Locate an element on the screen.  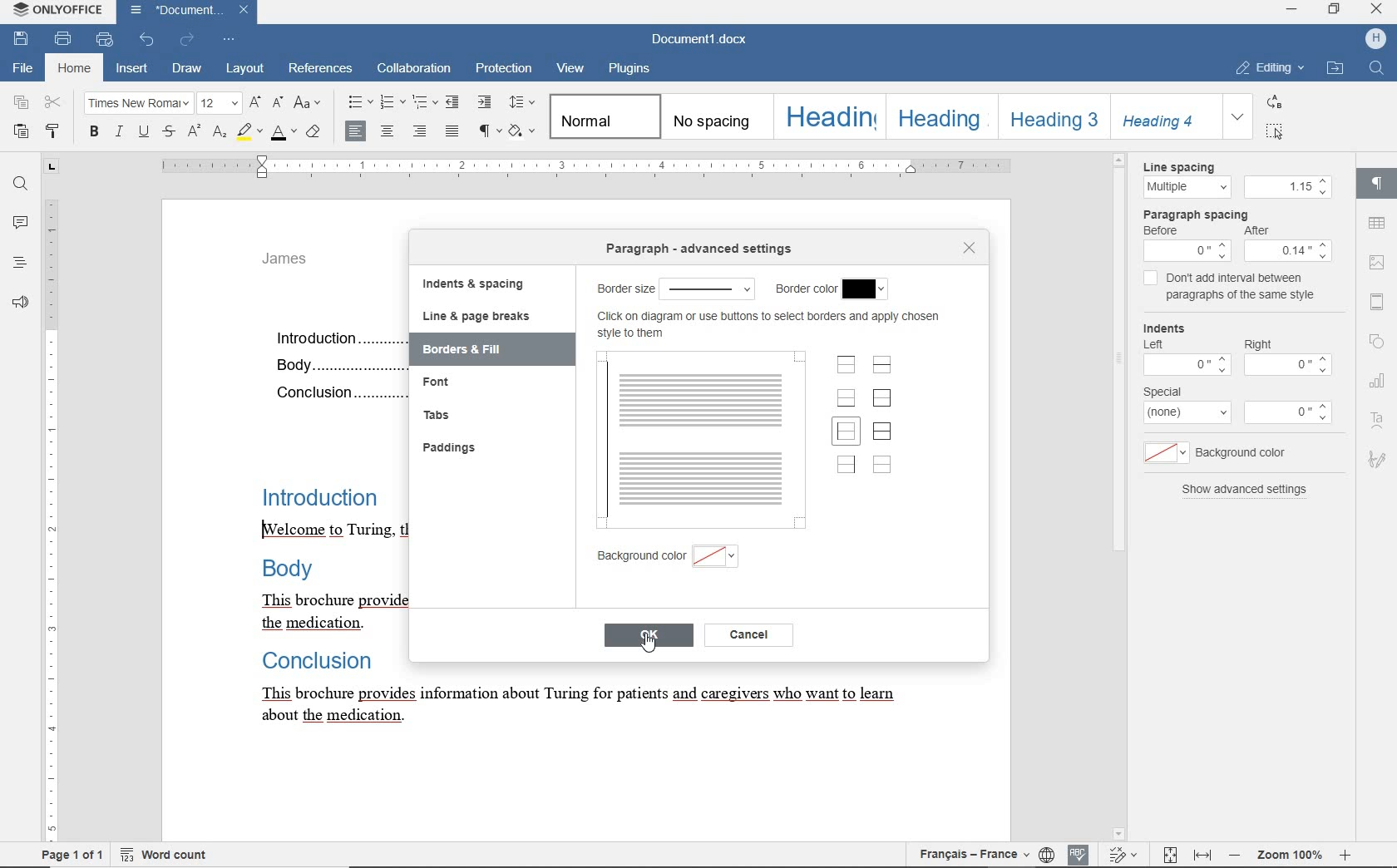
preview is located at coordinates (713, 438).